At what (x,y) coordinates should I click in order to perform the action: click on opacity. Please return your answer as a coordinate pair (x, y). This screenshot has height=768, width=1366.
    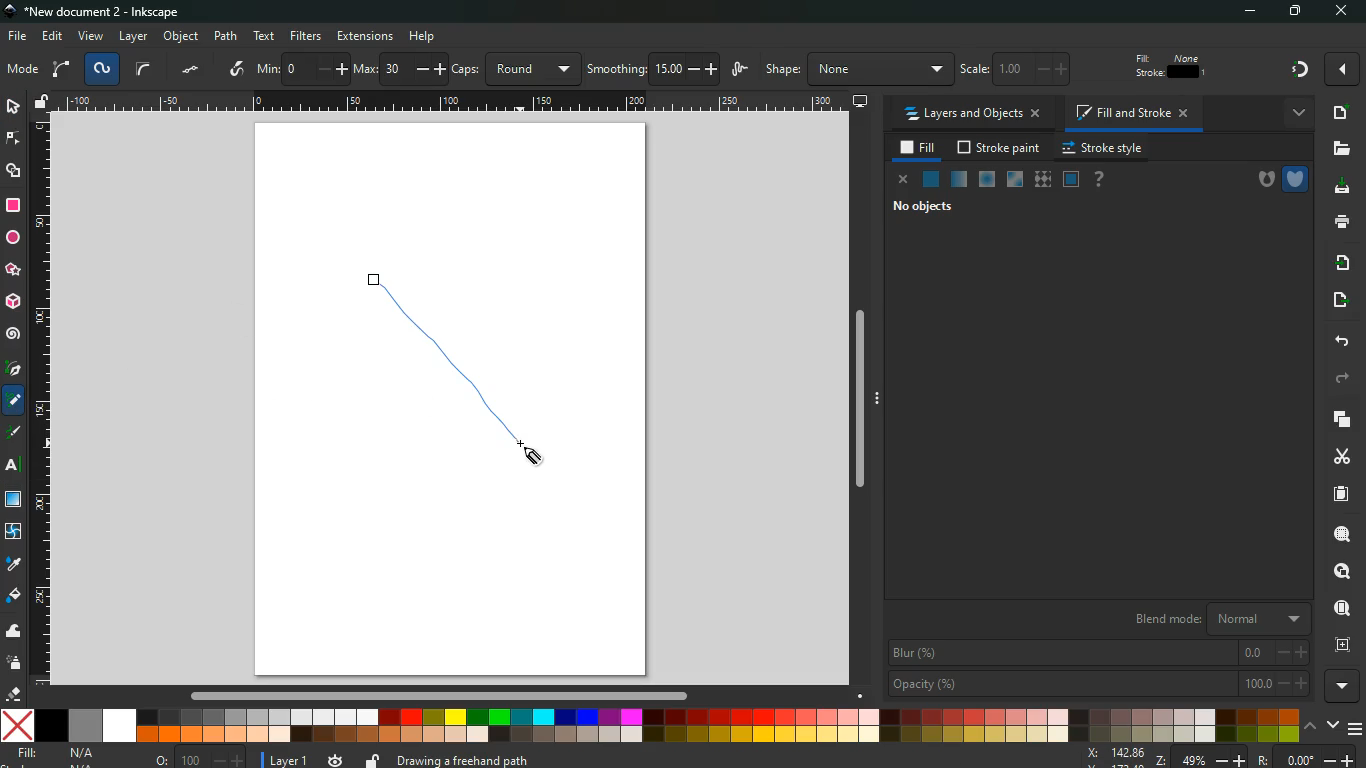
    Looking at the image, I should click on (1099, 683).